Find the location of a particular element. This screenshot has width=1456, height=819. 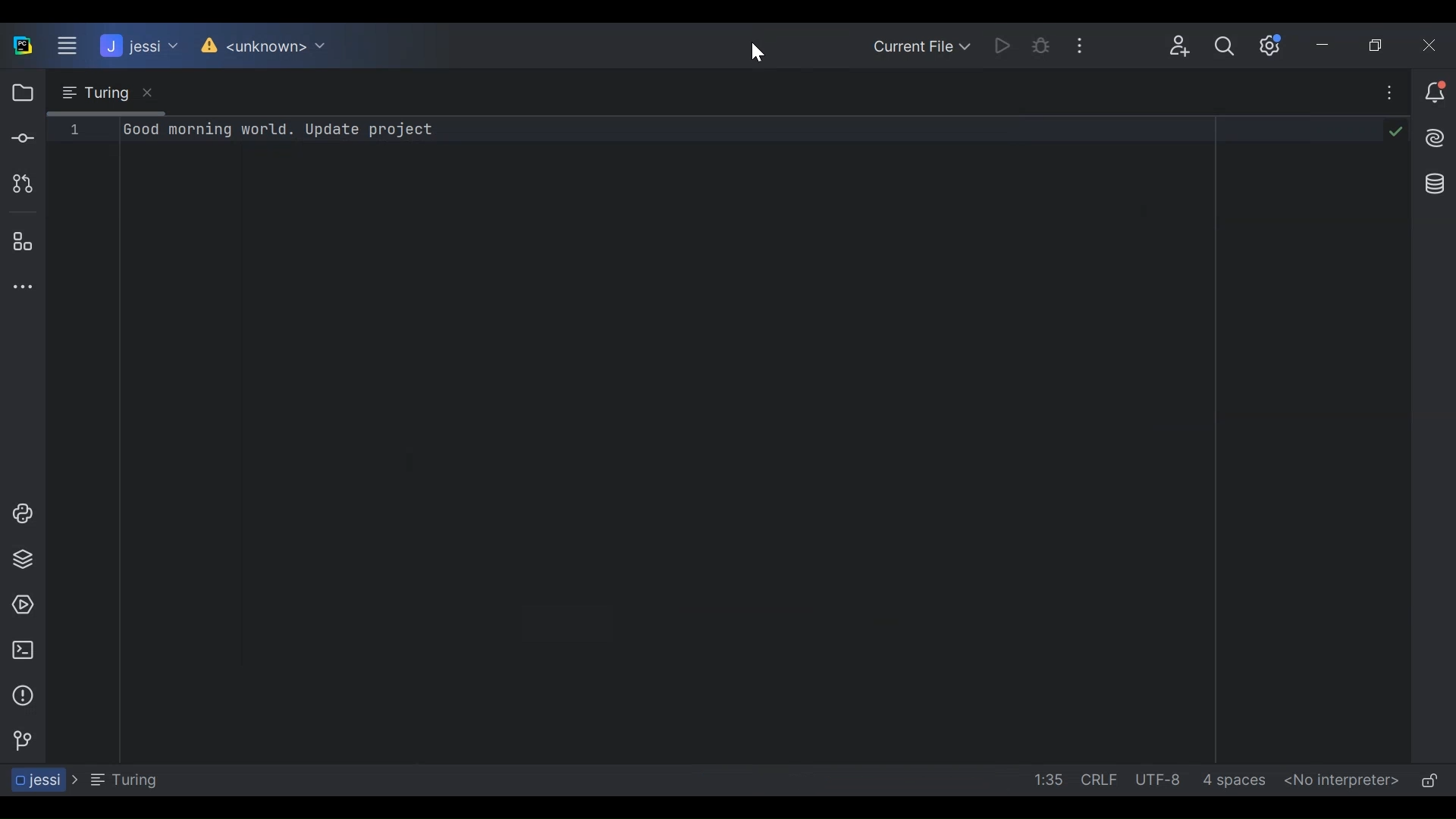

AI Assistant is located at coordinates (1431, 137).